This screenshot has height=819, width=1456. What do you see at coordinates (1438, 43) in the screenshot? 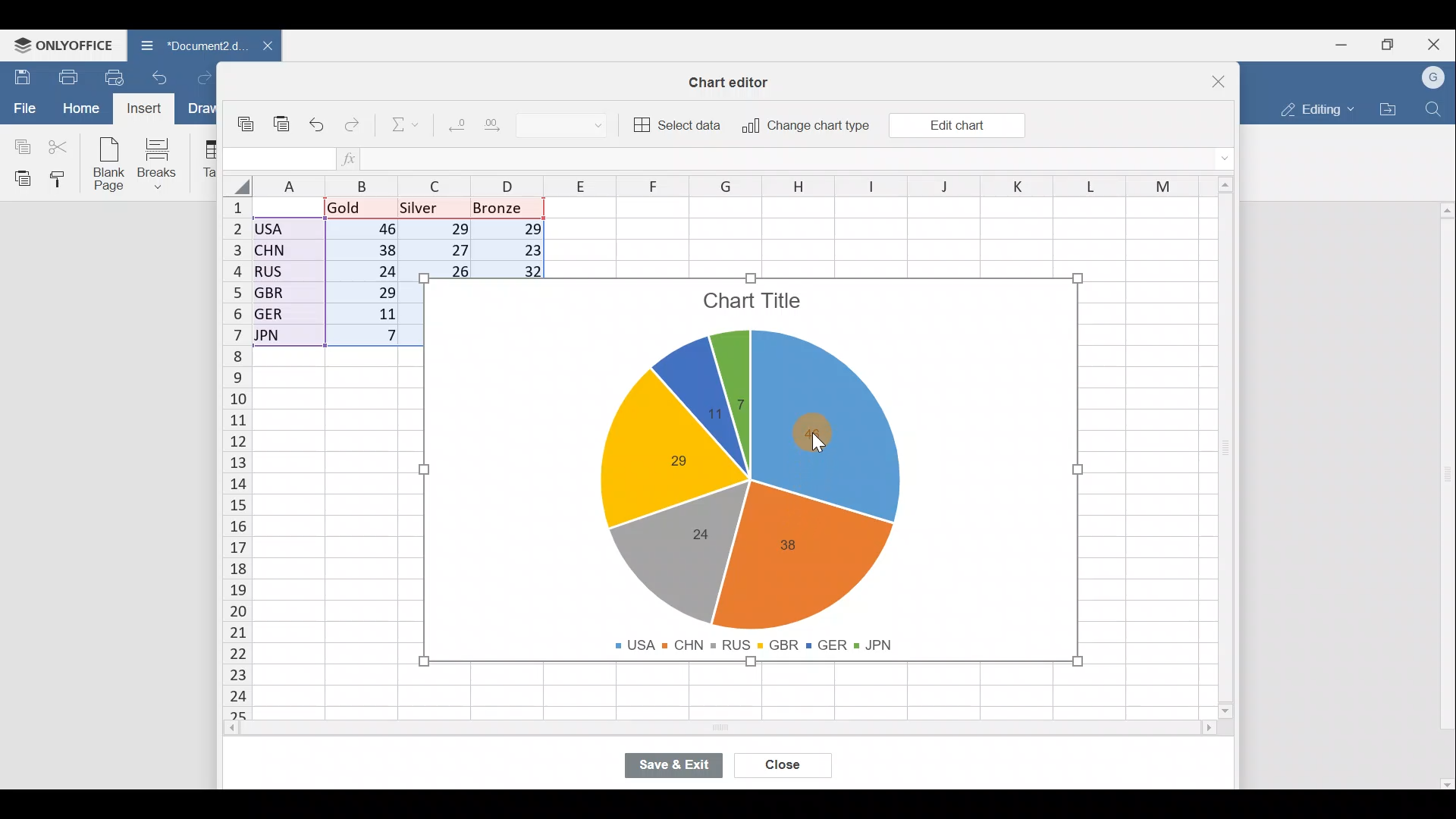
I see `Close` at bounding box center [1438, 43].